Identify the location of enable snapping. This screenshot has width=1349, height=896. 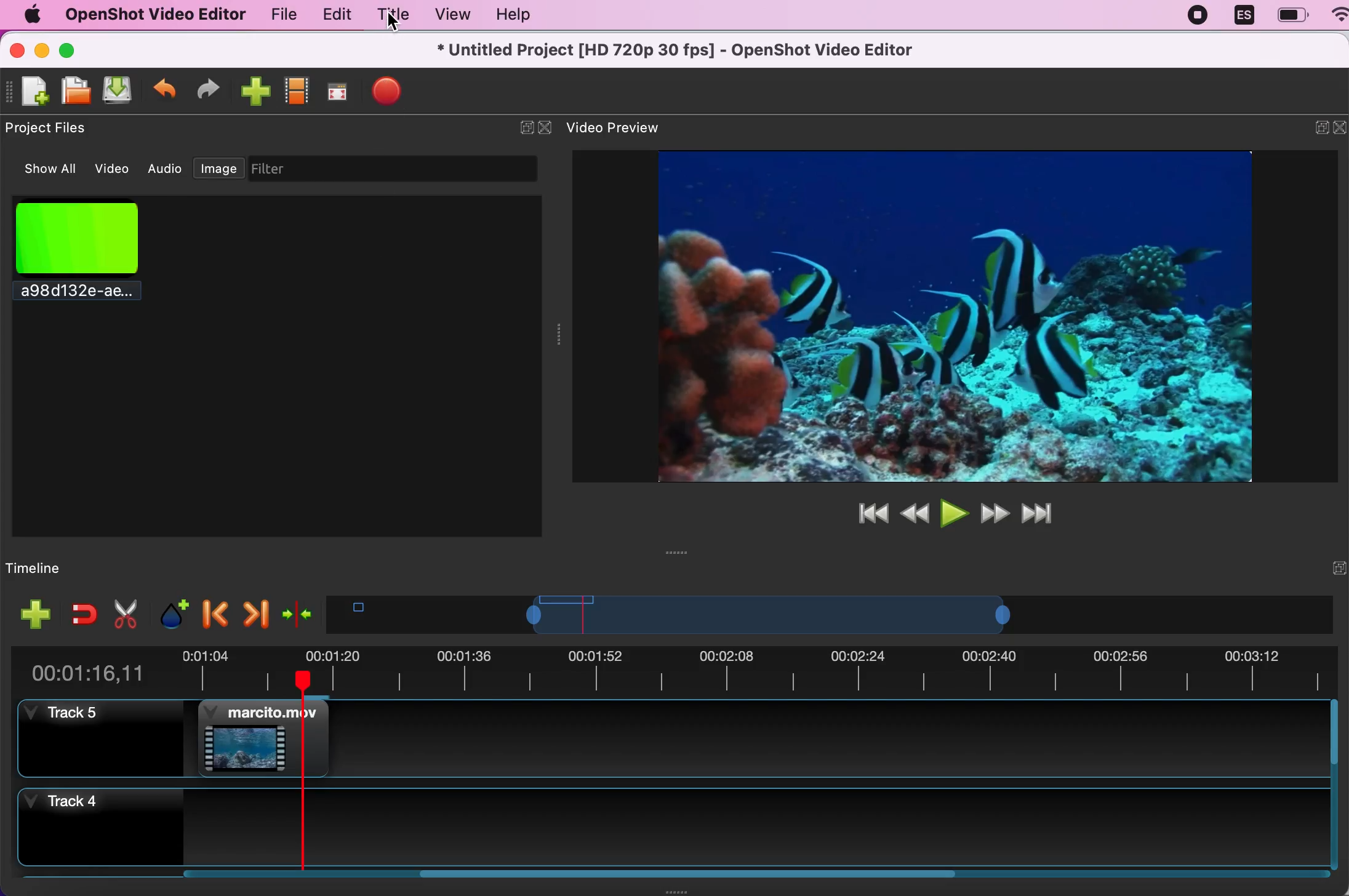
(79, 614).